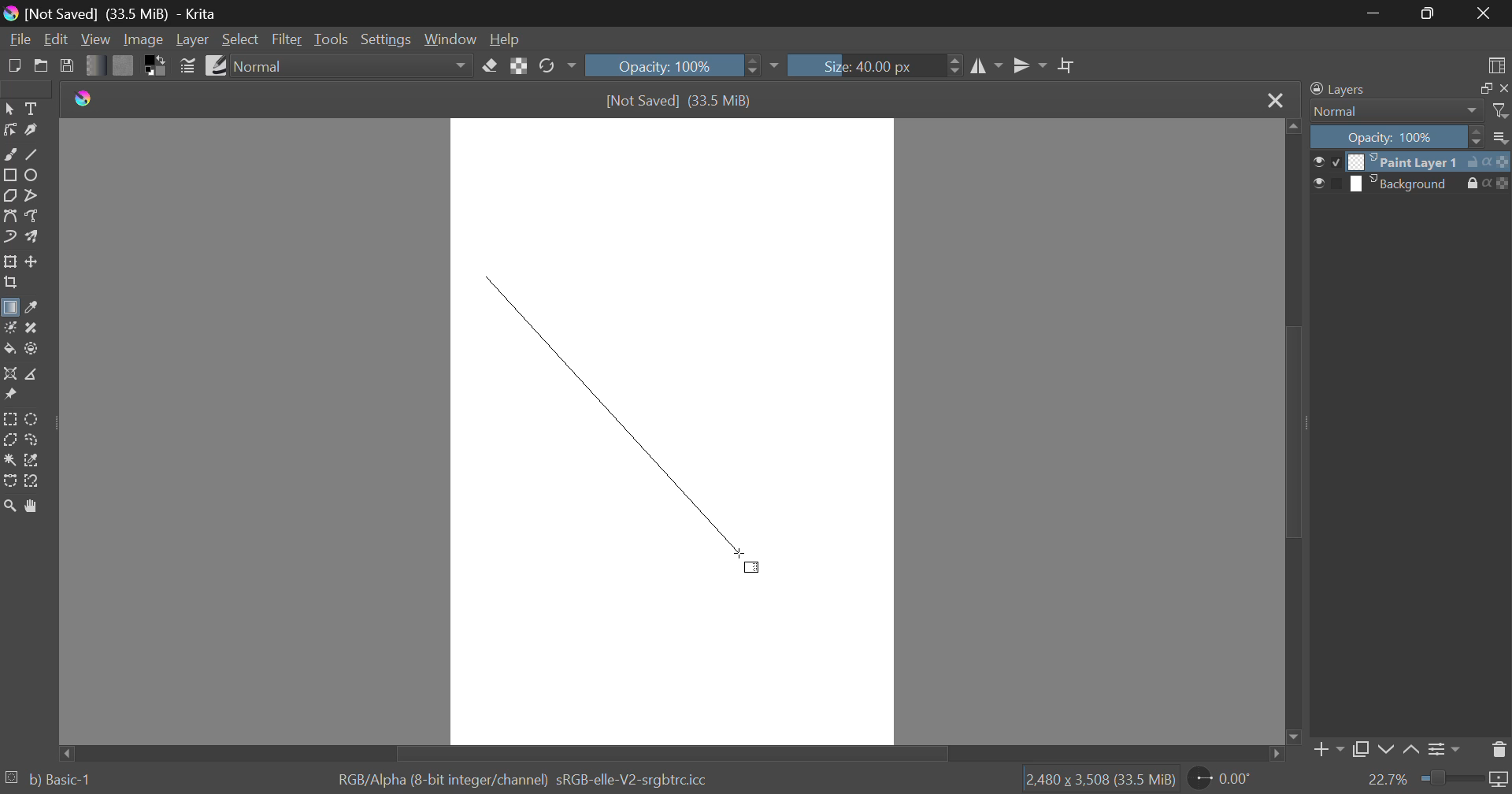  Describe the element at coordinates (505, 39) in the screenshot. I see `Help` at that location.